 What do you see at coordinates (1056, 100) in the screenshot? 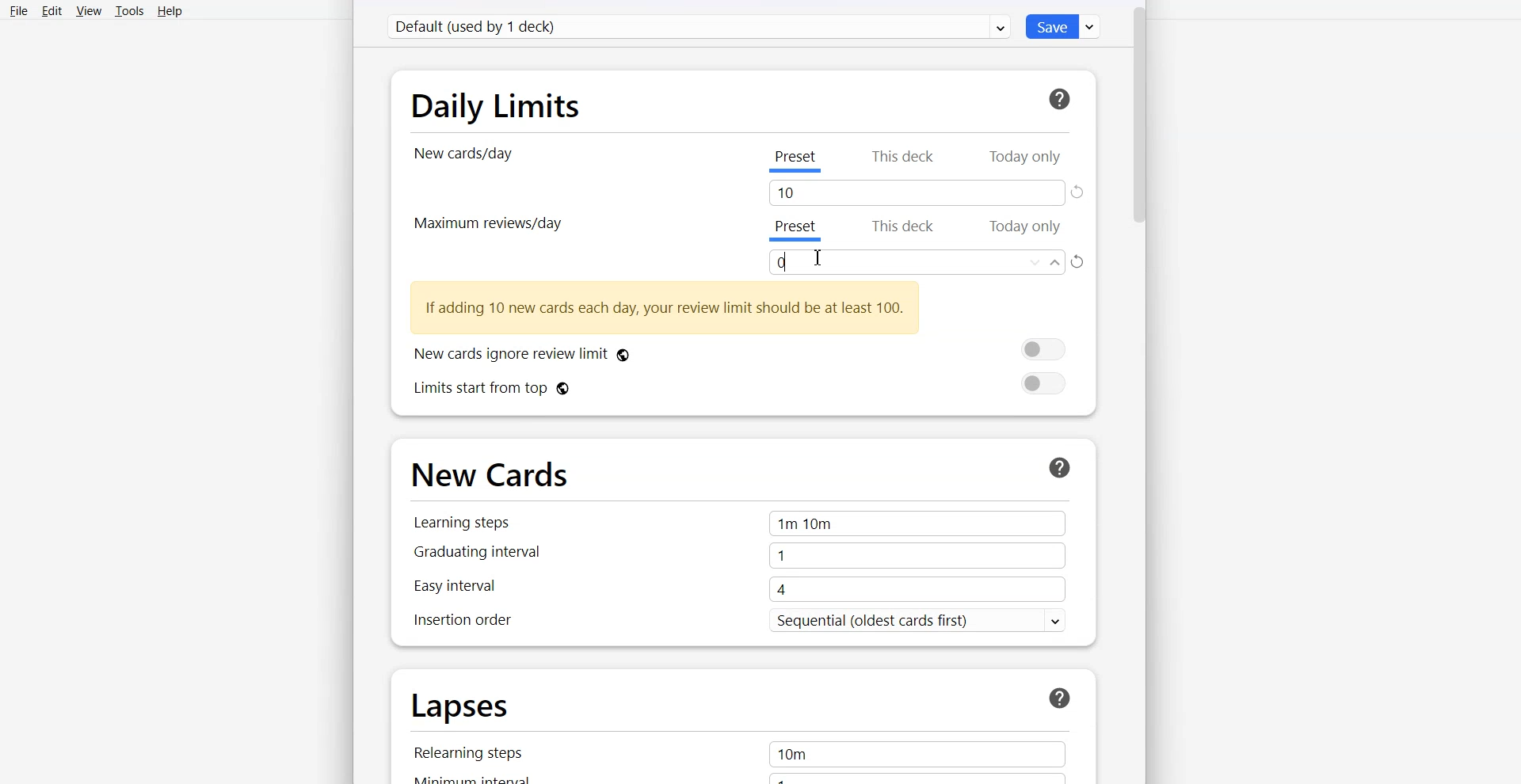
I see `Help` at bounding box center [1056, 100].